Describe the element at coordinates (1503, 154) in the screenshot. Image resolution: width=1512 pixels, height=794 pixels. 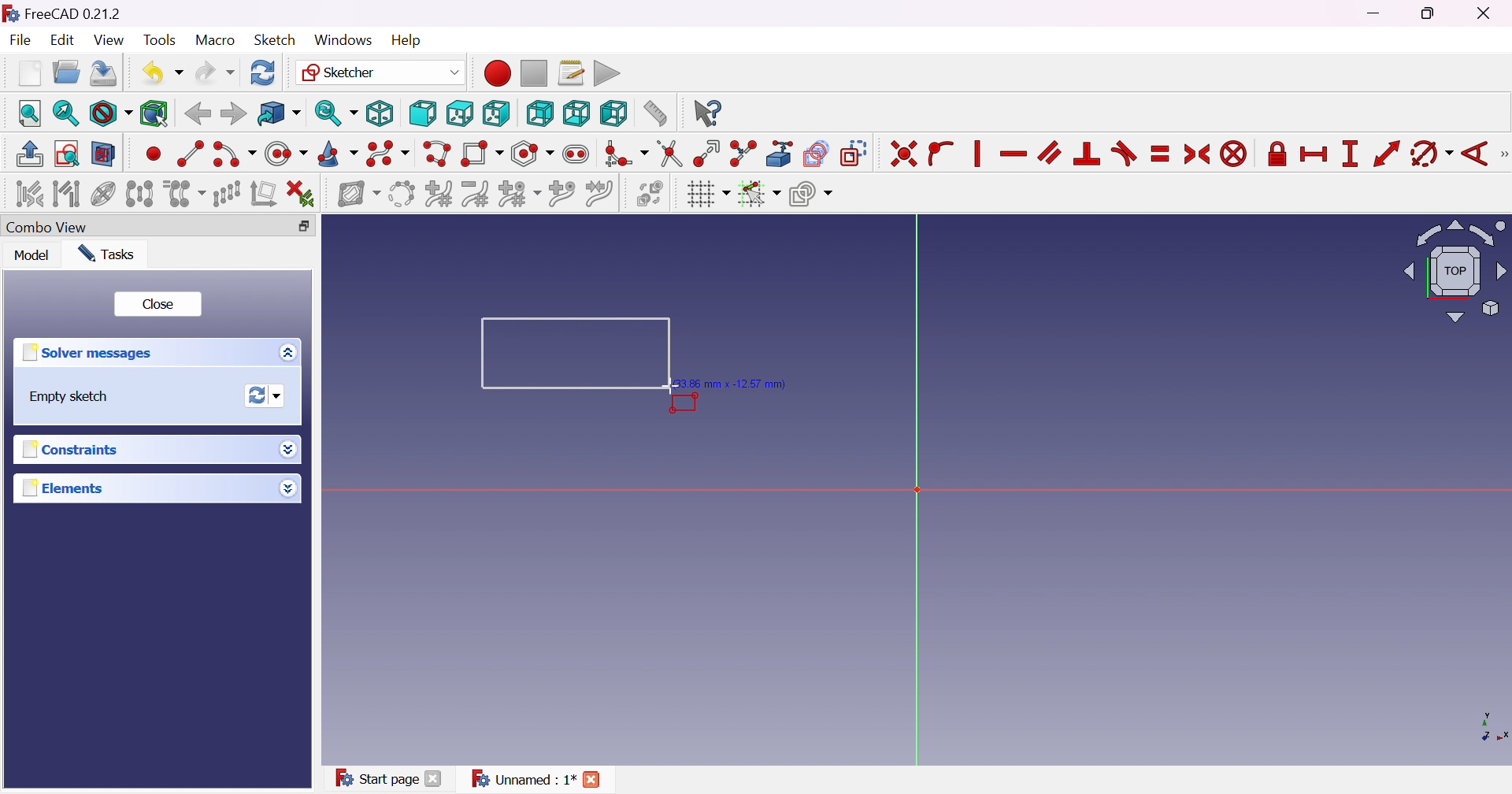
I see `[Sketcher constraints]` at that location.